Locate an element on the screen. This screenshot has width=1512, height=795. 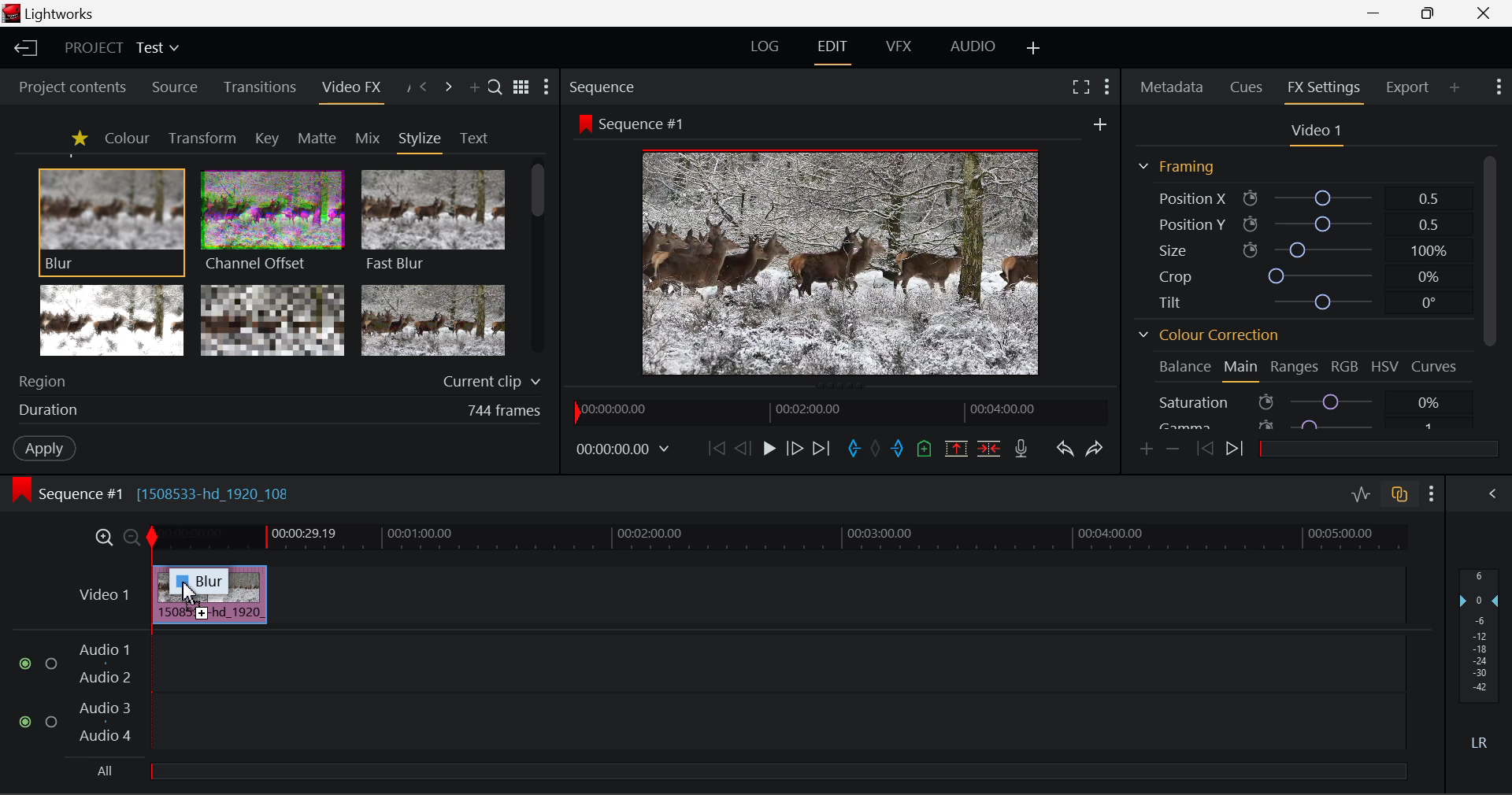
Add Panel is located at coordinates (474, 89).